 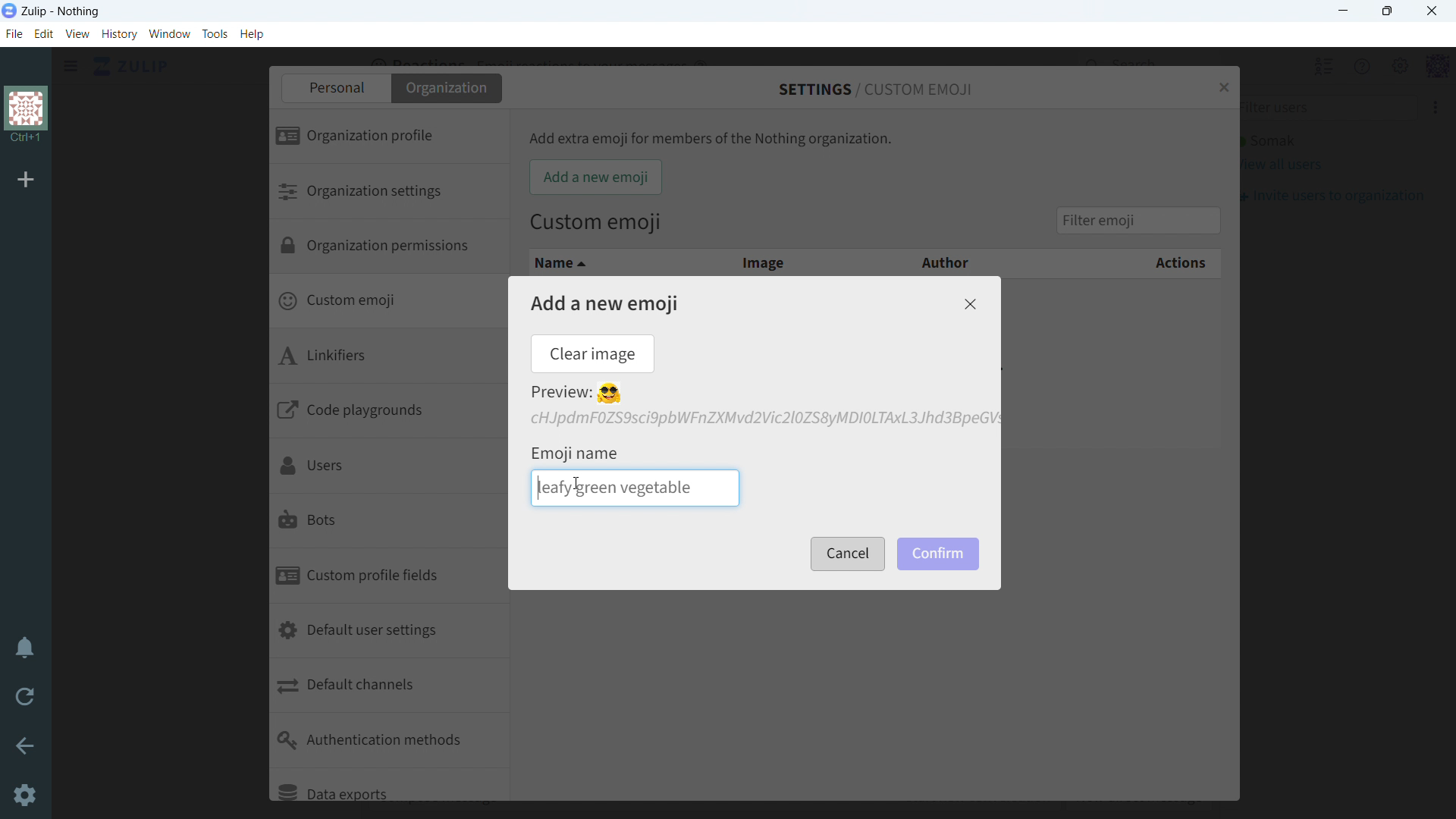 What do you see at coordinates (215, 33) in the screenshot?
I see `tools` at bounding box center [215, 33].